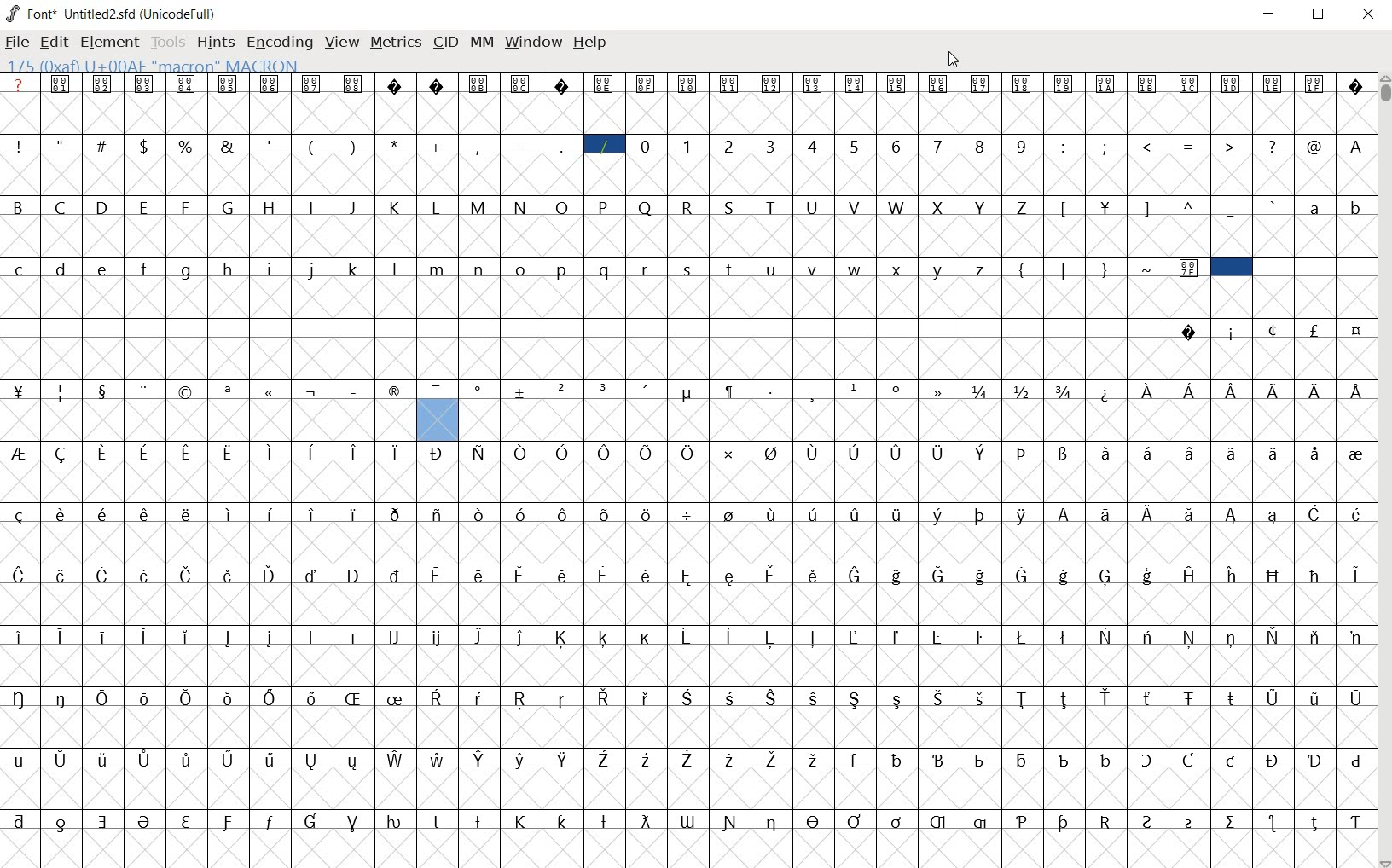 This screenshot has height=868, width=1392. I want to click on Symbol, so click(313, 515).